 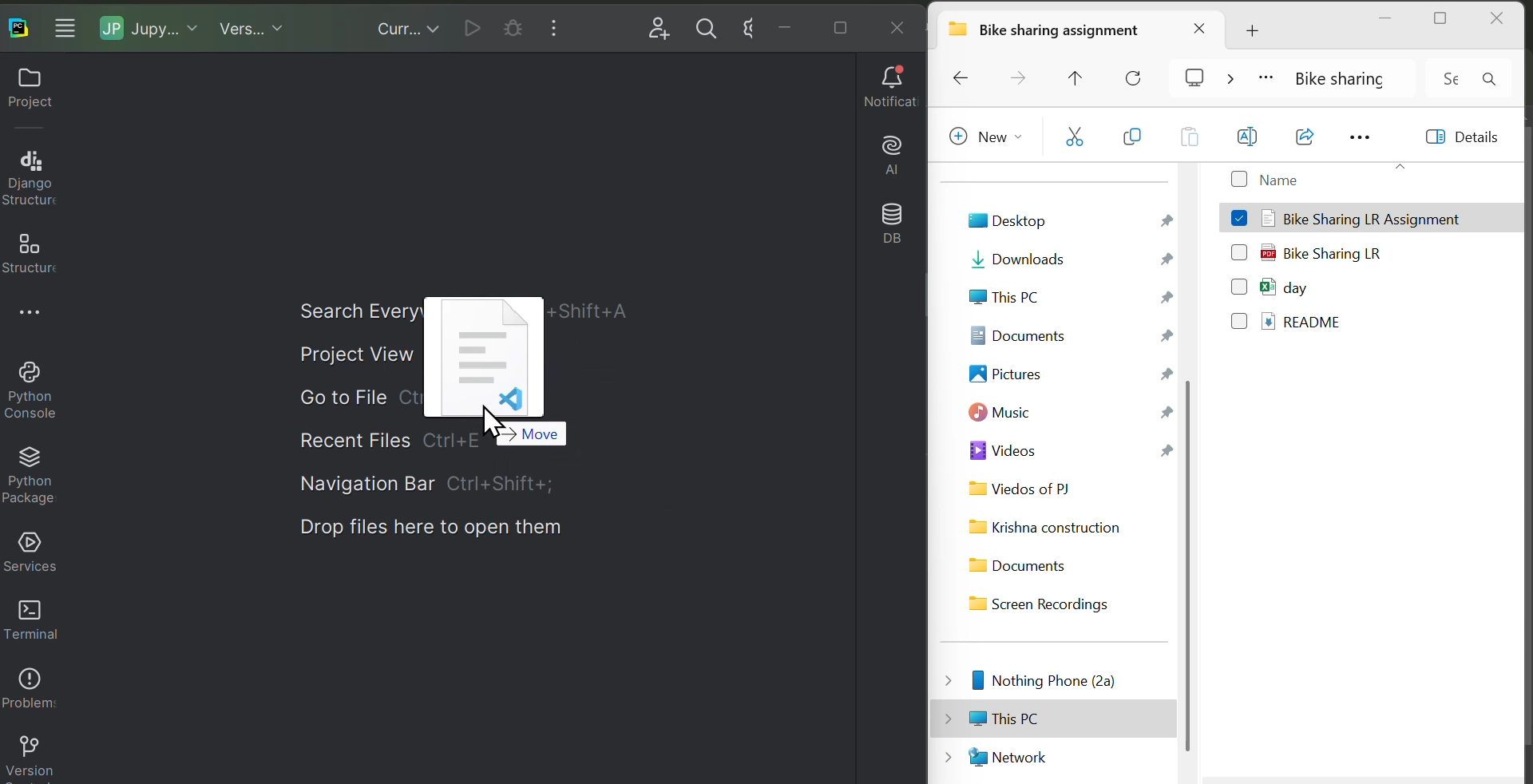 What do you see at coordinates (1372, 216) in the screenshot?
I see `Bike Sharing LR Assignment` at bounding box center [1372, 216].